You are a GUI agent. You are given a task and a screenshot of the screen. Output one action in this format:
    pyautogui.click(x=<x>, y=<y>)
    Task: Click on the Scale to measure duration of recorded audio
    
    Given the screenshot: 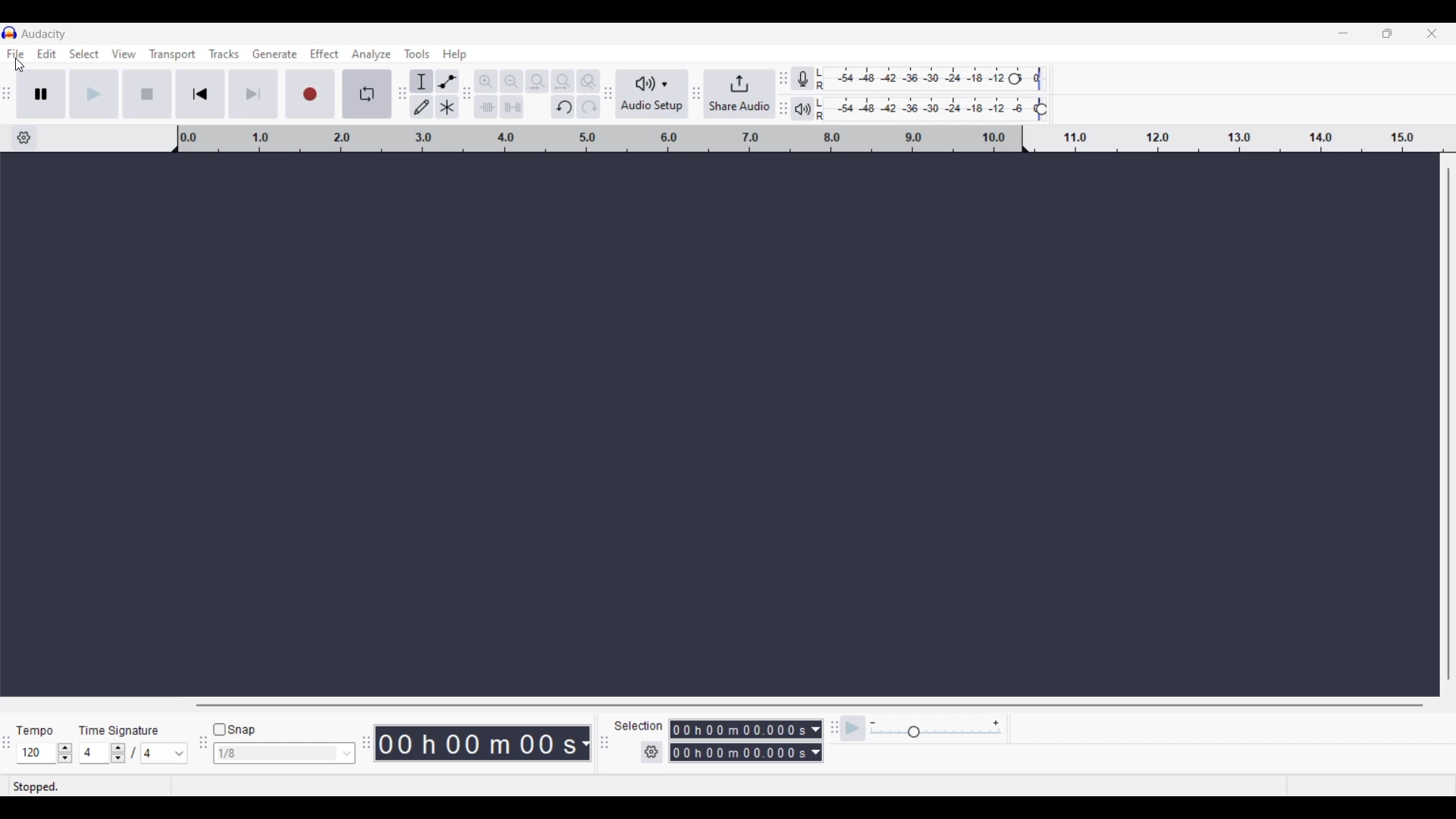 What is the action you would take?
    pyautogui.click(x=815, y=140)
    